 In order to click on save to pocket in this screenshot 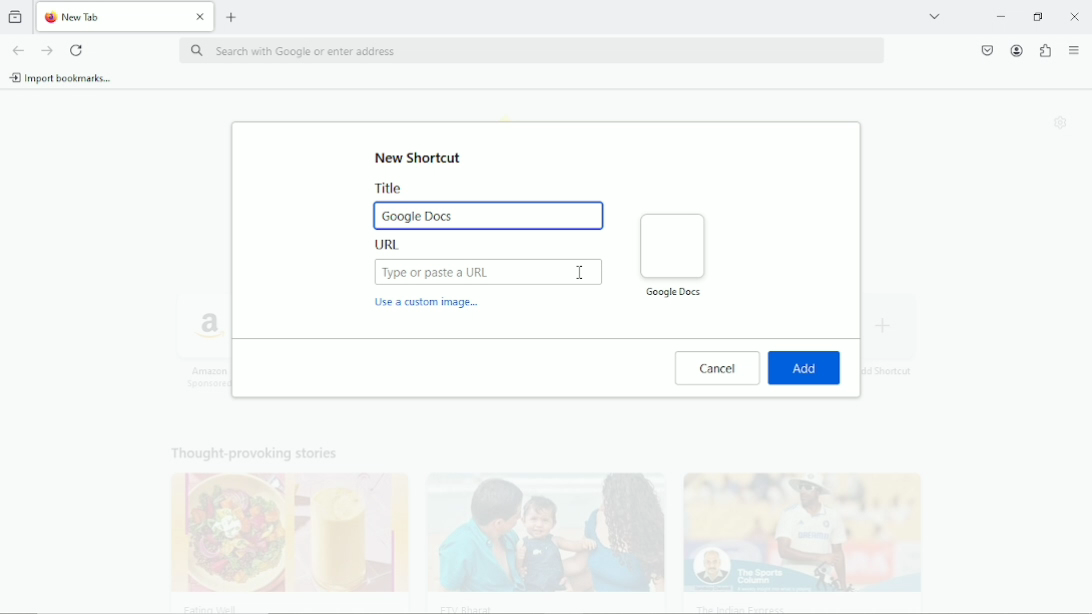, I will do `click(986, 49)`.